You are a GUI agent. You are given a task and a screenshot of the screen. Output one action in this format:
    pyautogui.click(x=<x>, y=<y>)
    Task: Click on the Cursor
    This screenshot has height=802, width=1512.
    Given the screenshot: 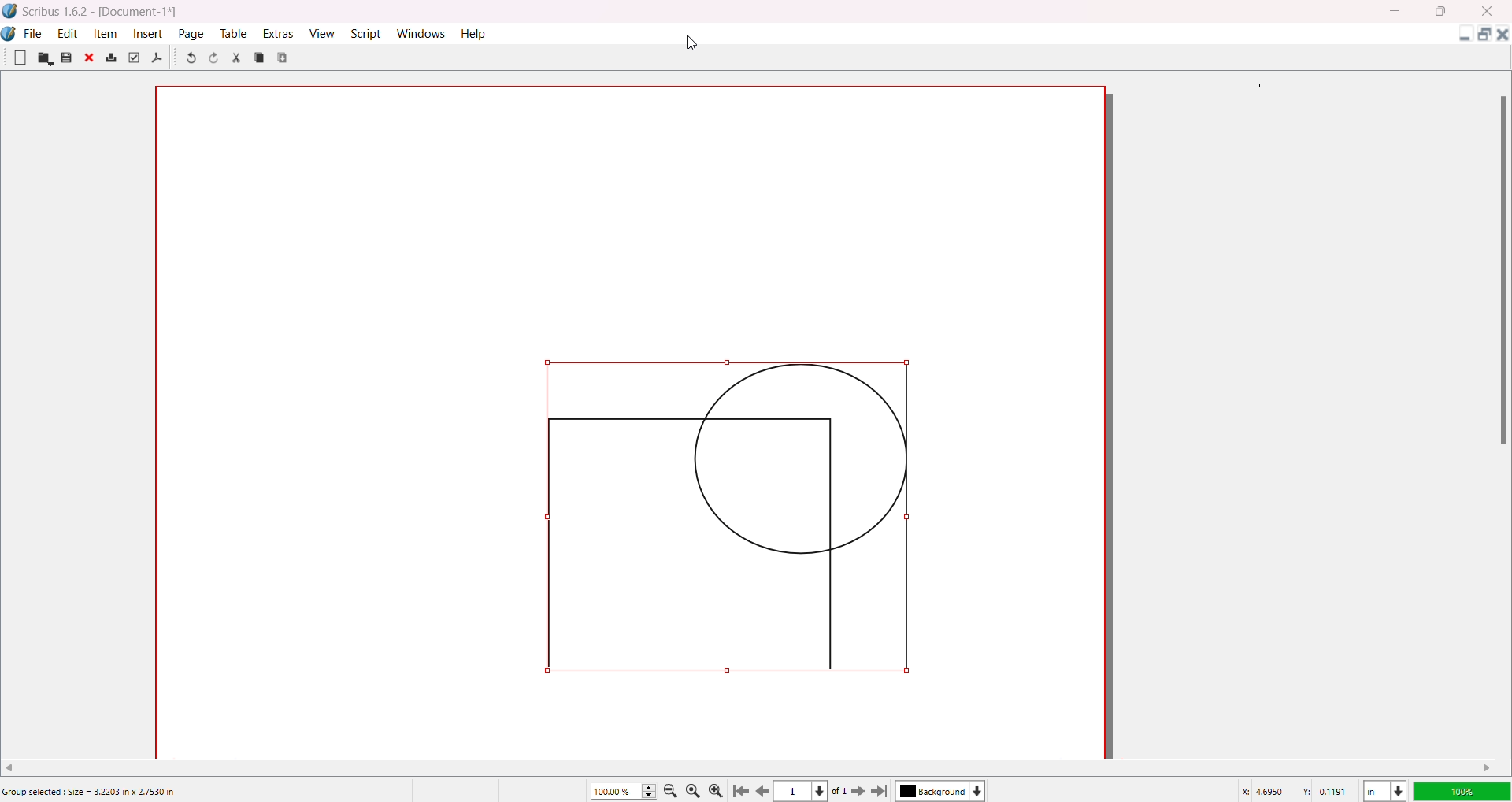 What is the action you would take?
    pyautogui.click(x=694, y=41)
    